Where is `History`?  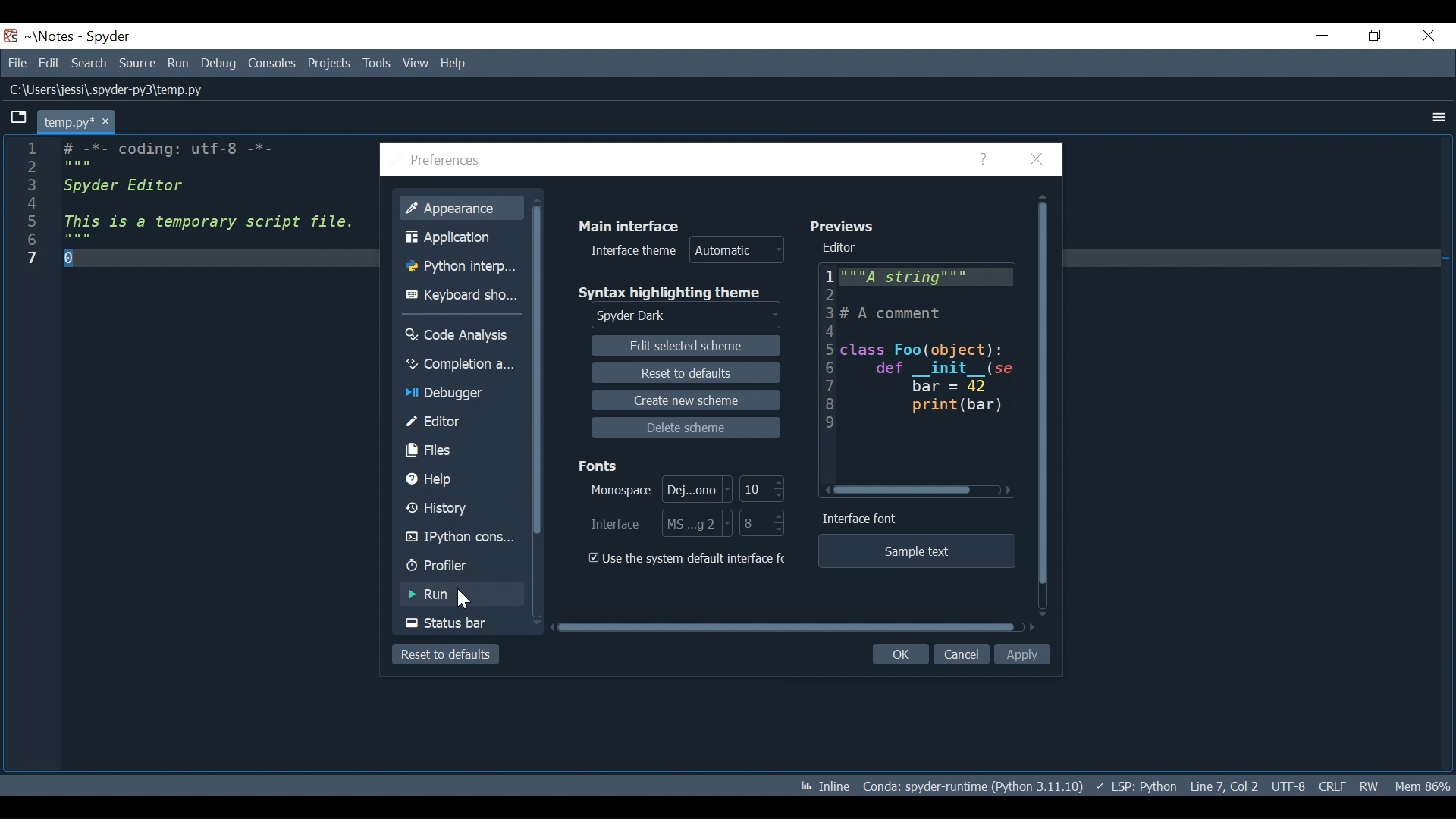
History is located at coordinates (457, 507).